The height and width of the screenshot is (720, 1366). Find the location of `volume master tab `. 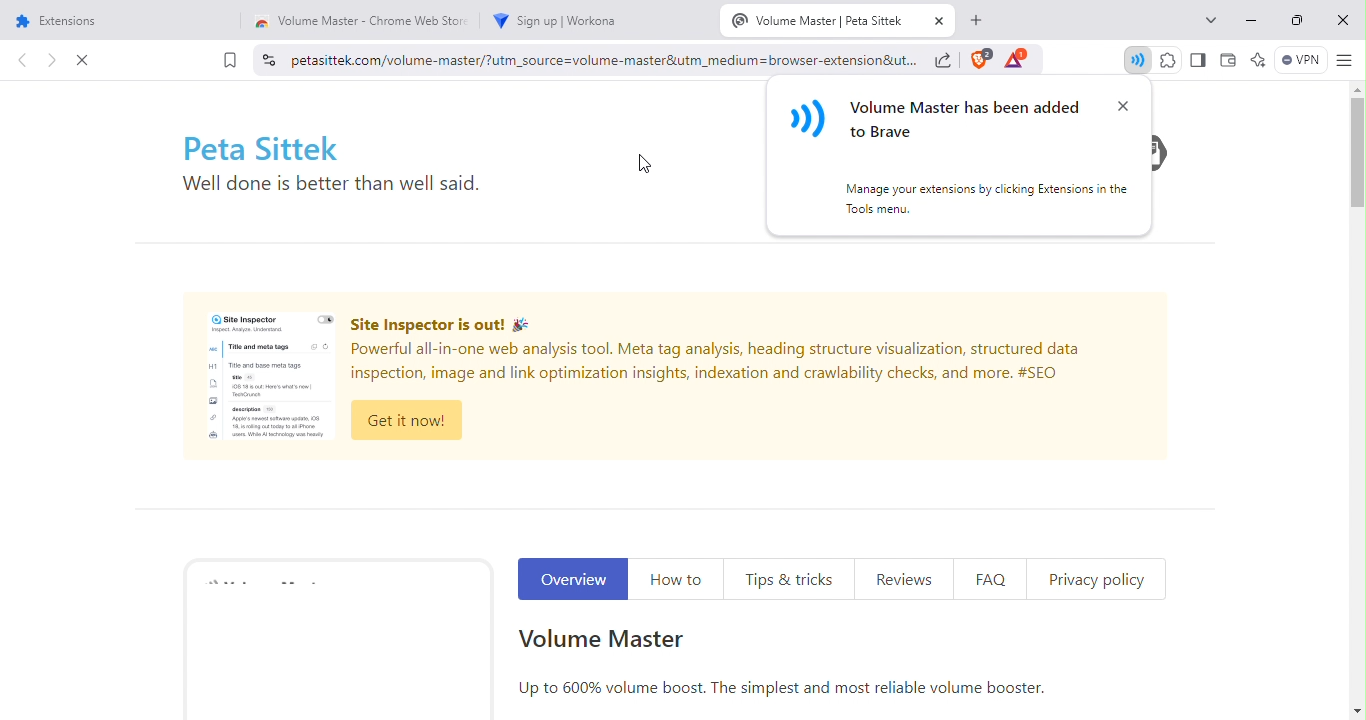

volume master tab  is located at coordinates (836, 21).